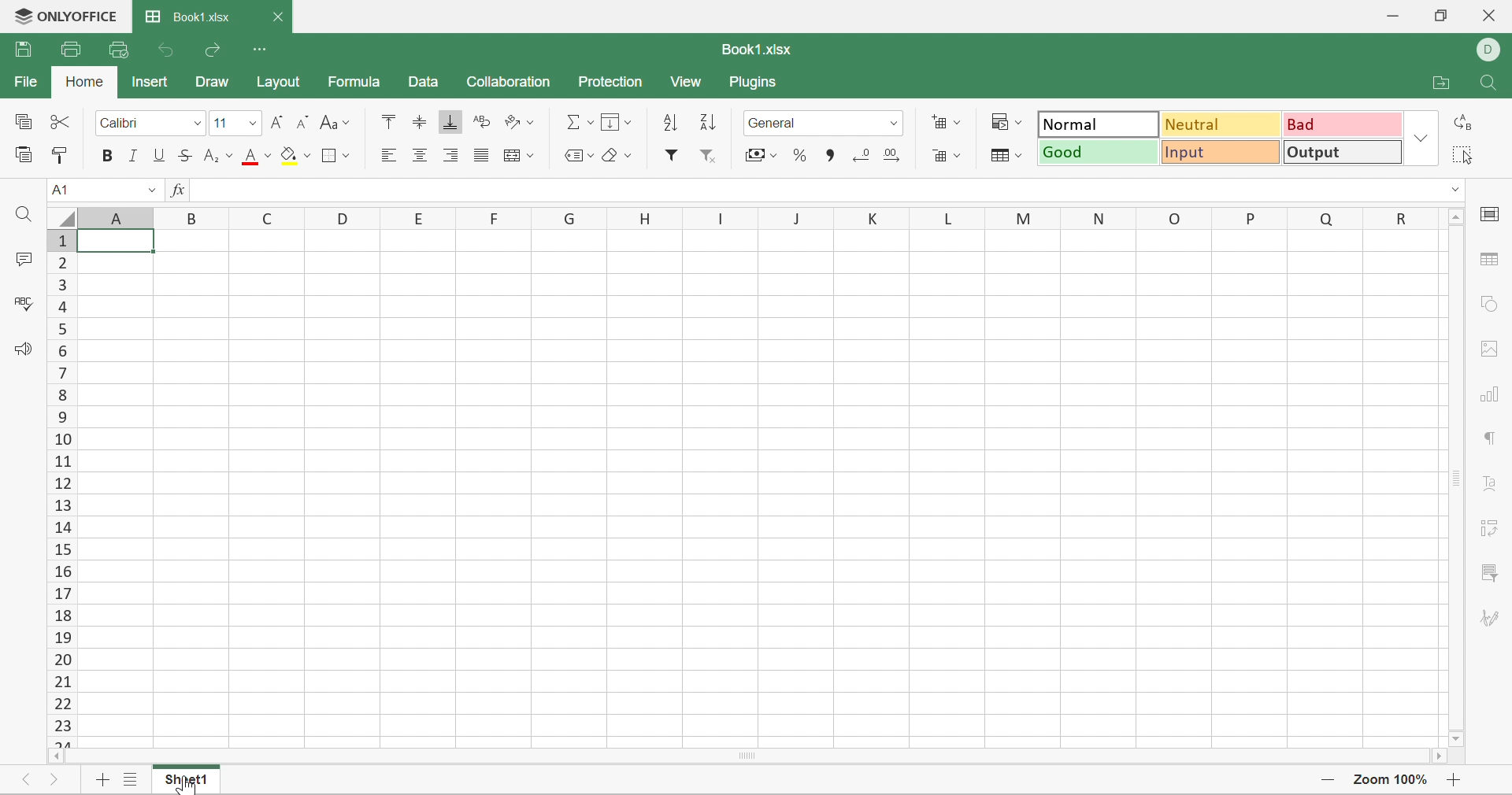 Image resolution: width=1512 pixels, height=795 pixels. What do you see at coordinates (20, 258) in the screenshot?
I see `Comments` at bounding box center [20, 258].